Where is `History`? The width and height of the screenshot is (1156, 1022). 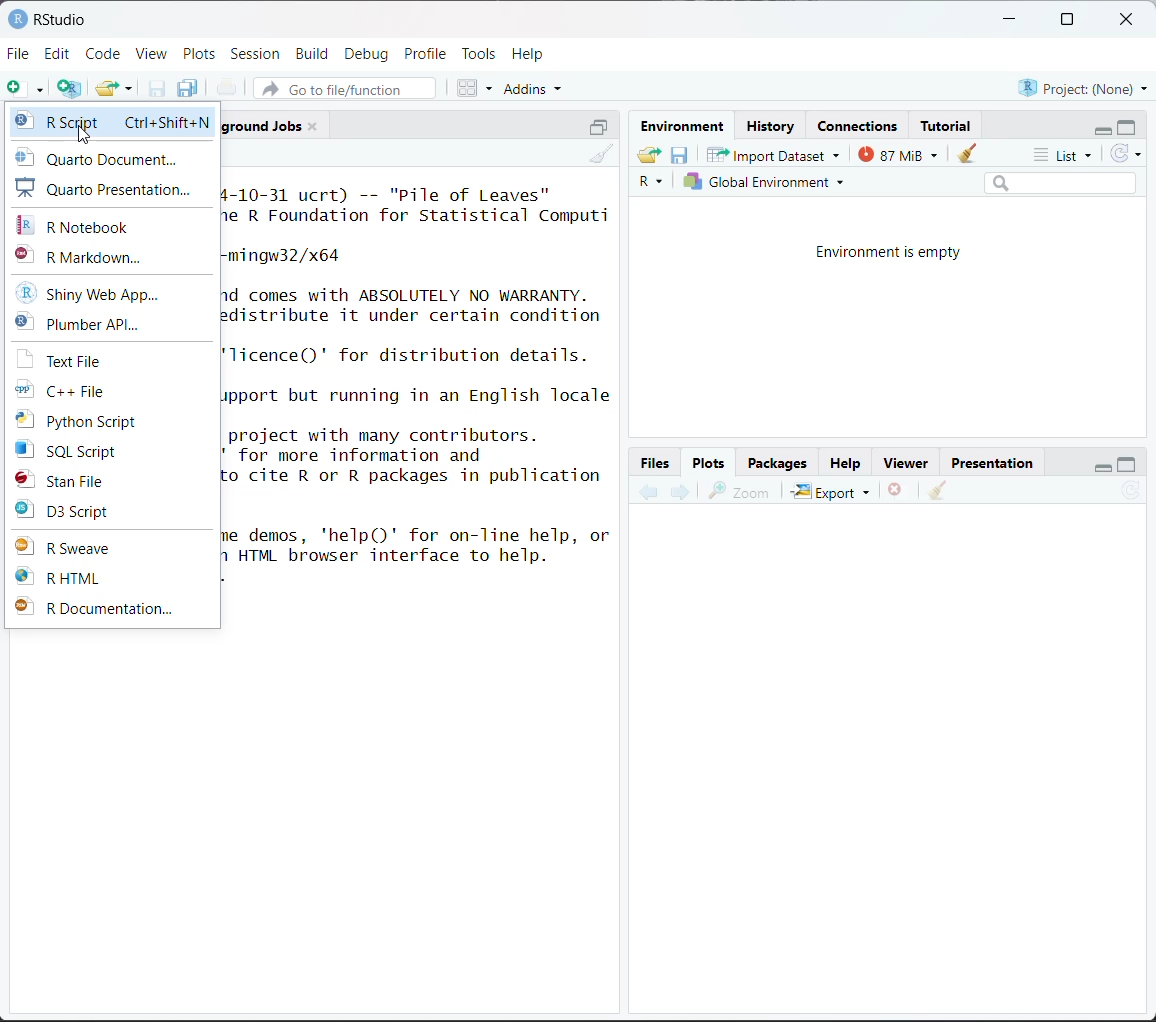 History is located at coordinates (772, 126).